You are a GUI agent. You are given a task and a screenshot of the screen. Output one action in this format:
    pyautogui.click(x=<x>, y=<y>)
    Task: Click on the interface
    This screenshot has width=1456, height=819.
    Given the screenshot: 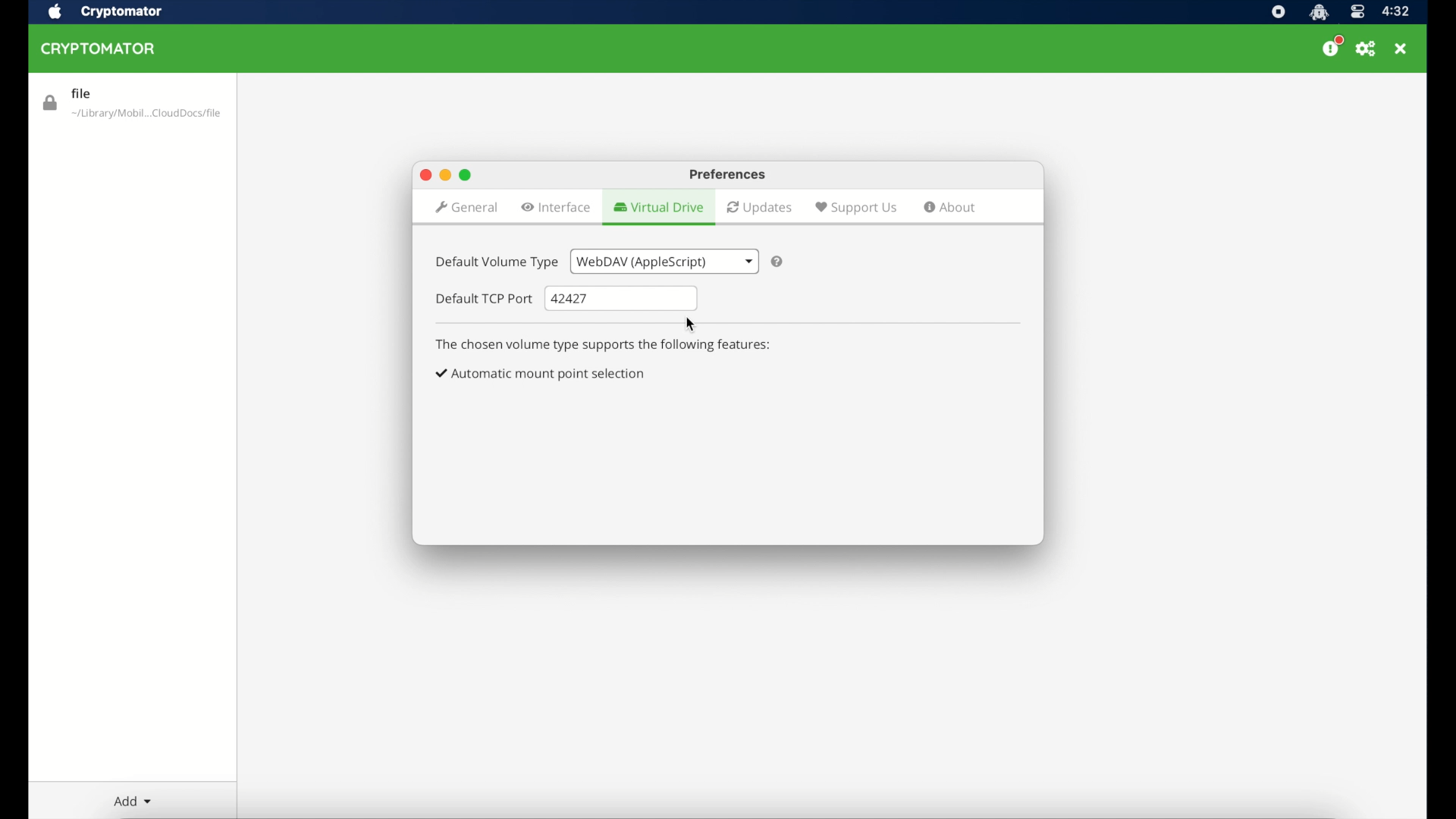 What is the action you would take?
    pyautogui.click(x=557, y=207)
    